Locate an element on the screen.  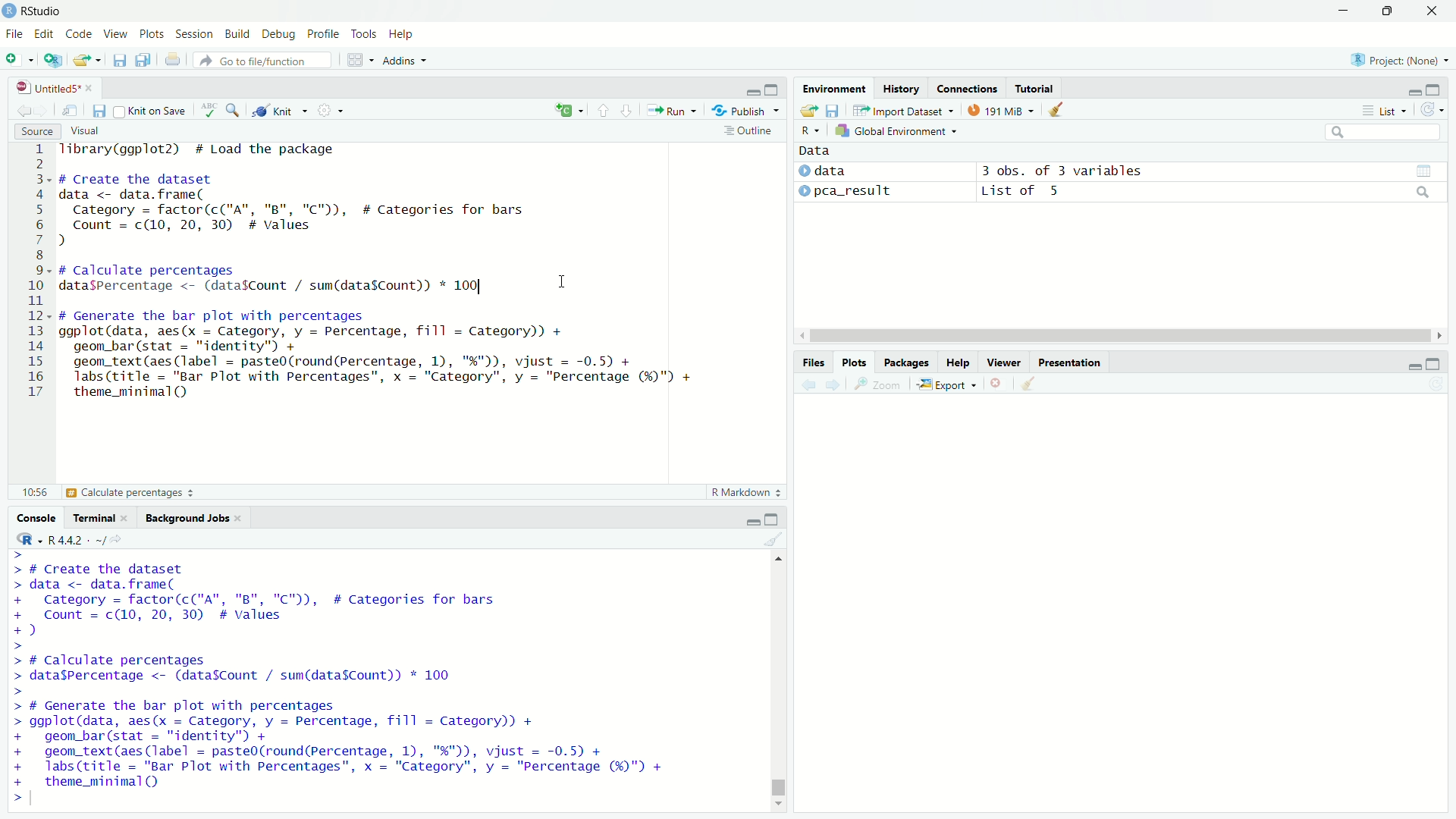
tutorial is located at coordinates (1036, 88).